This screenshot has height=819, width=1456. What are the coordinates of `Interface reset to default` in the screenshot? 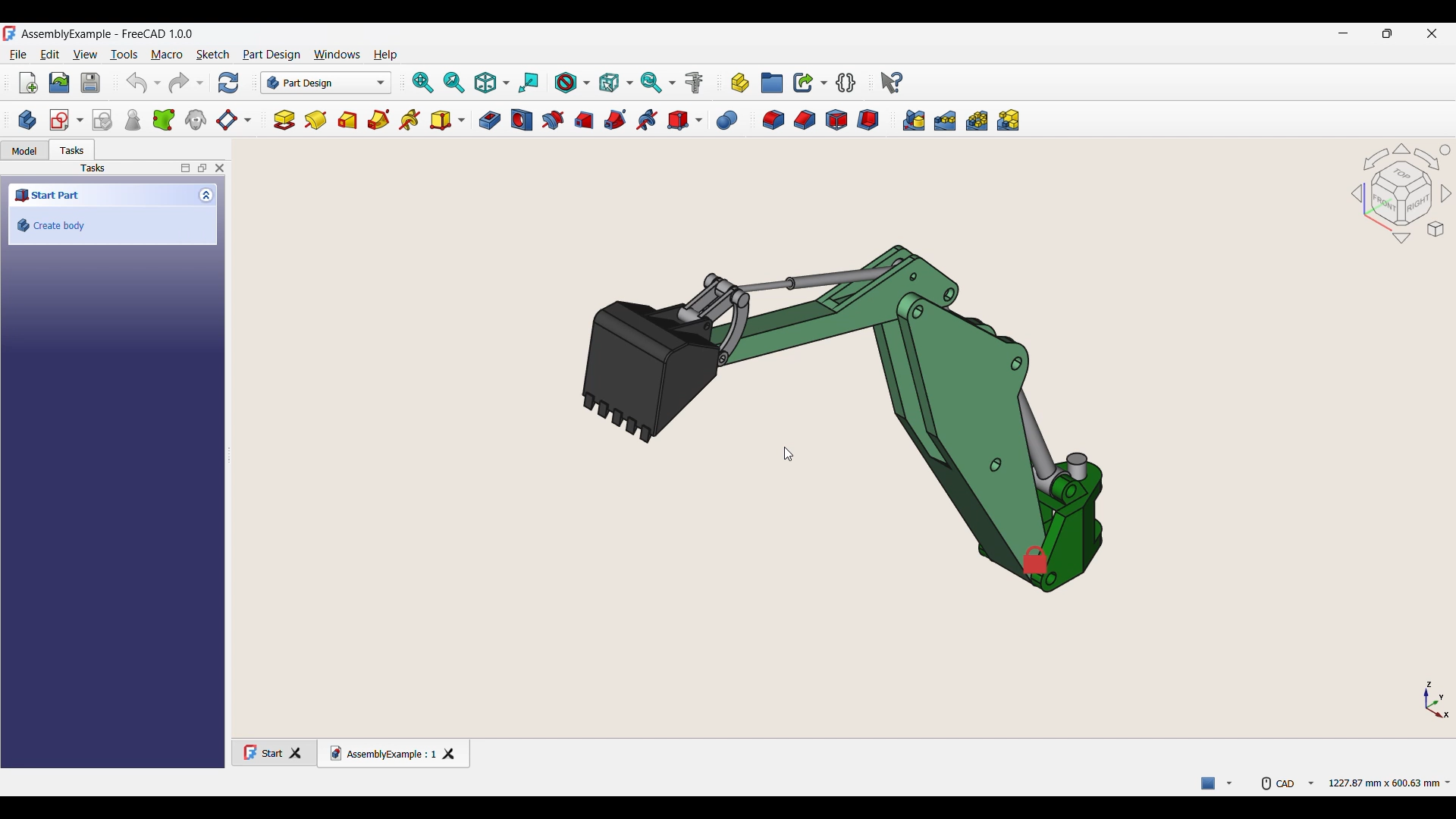 It's located at (287, 490).